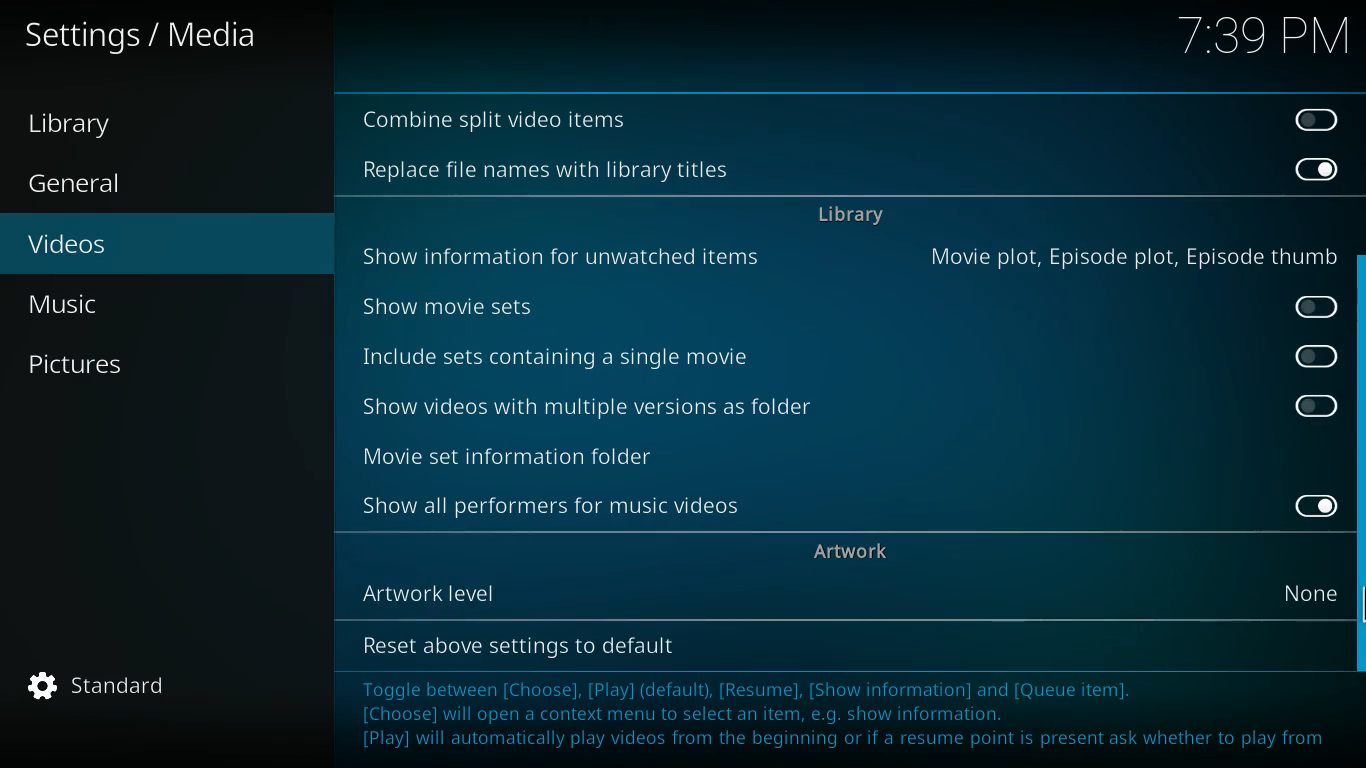 The height and width of the screenshot is (768, 1366). What do you see at coordinates (498, 121) in the screenshot?
I see `combine split video items` at bounding box center [498, 121].